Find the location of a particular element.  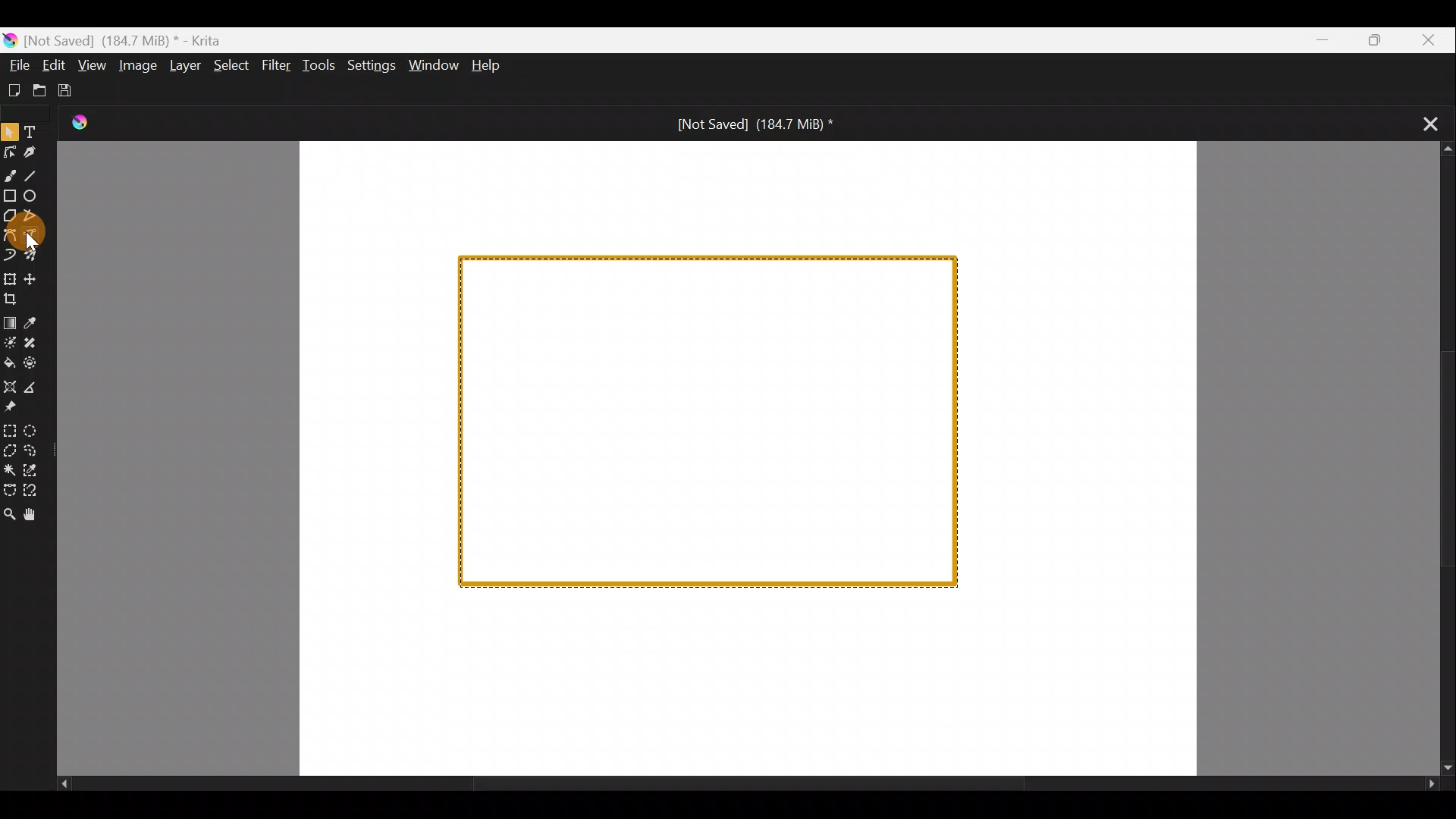

Calligraphy is located at coordinates (31, 152).